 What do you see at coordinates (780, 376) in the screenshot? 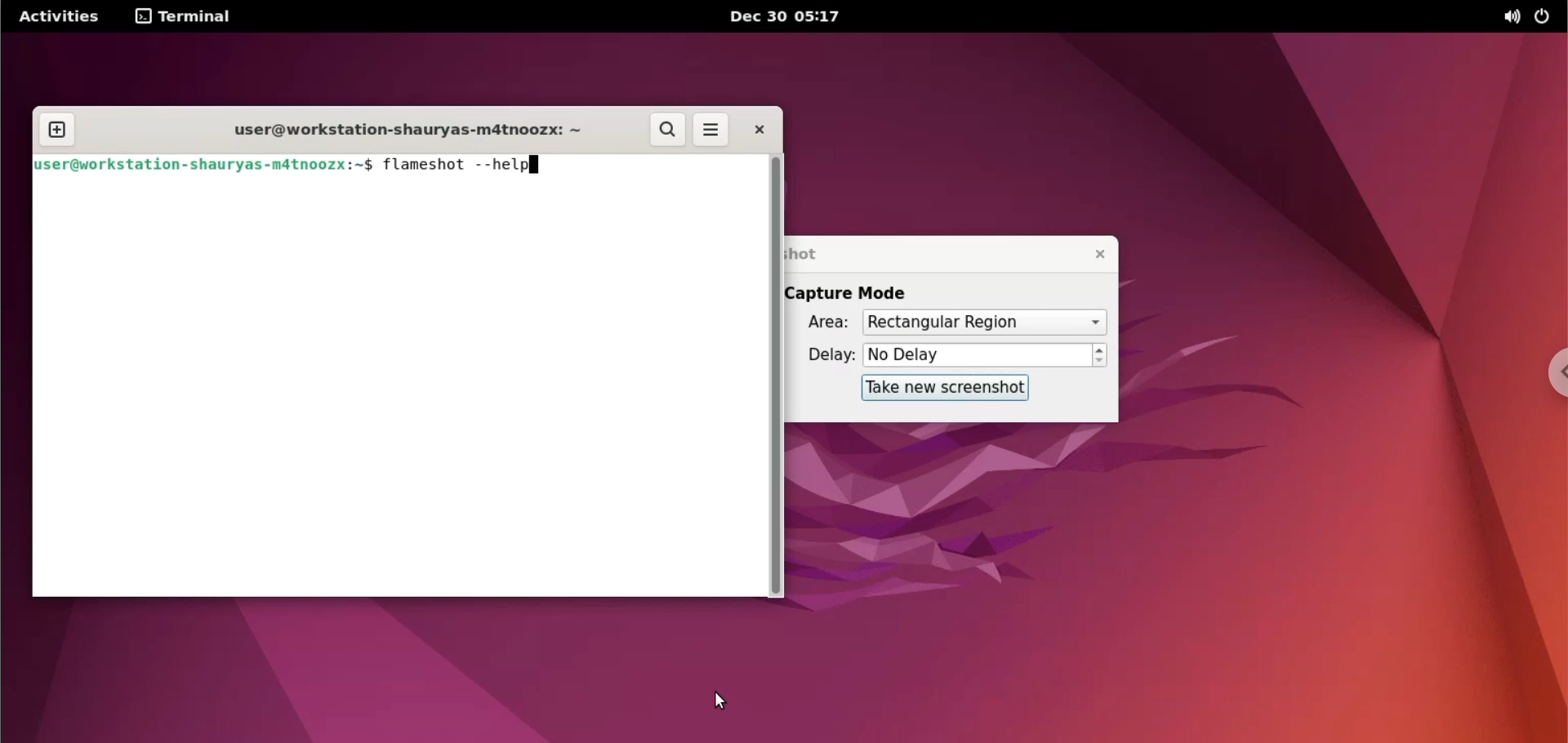
I see `scrollbar` at bounding box center [780, 376].